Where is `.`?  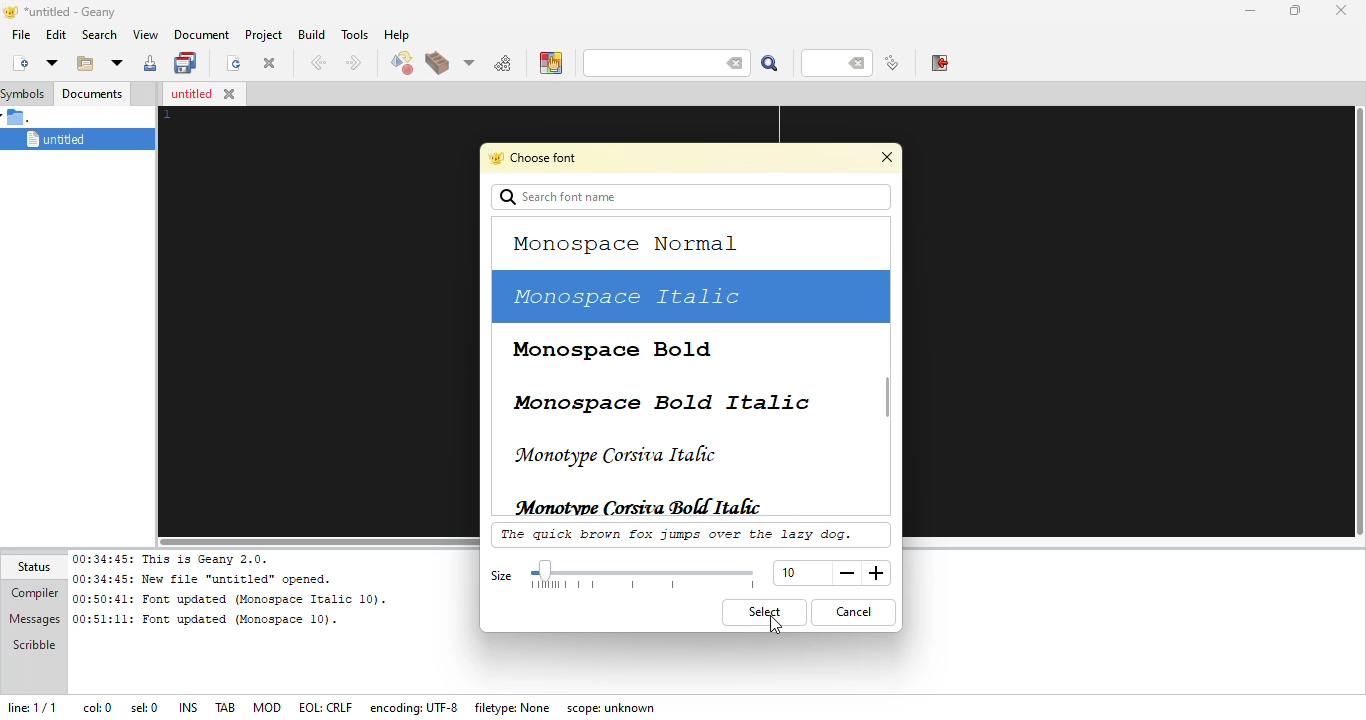
. is located at coordinates (20, 117).